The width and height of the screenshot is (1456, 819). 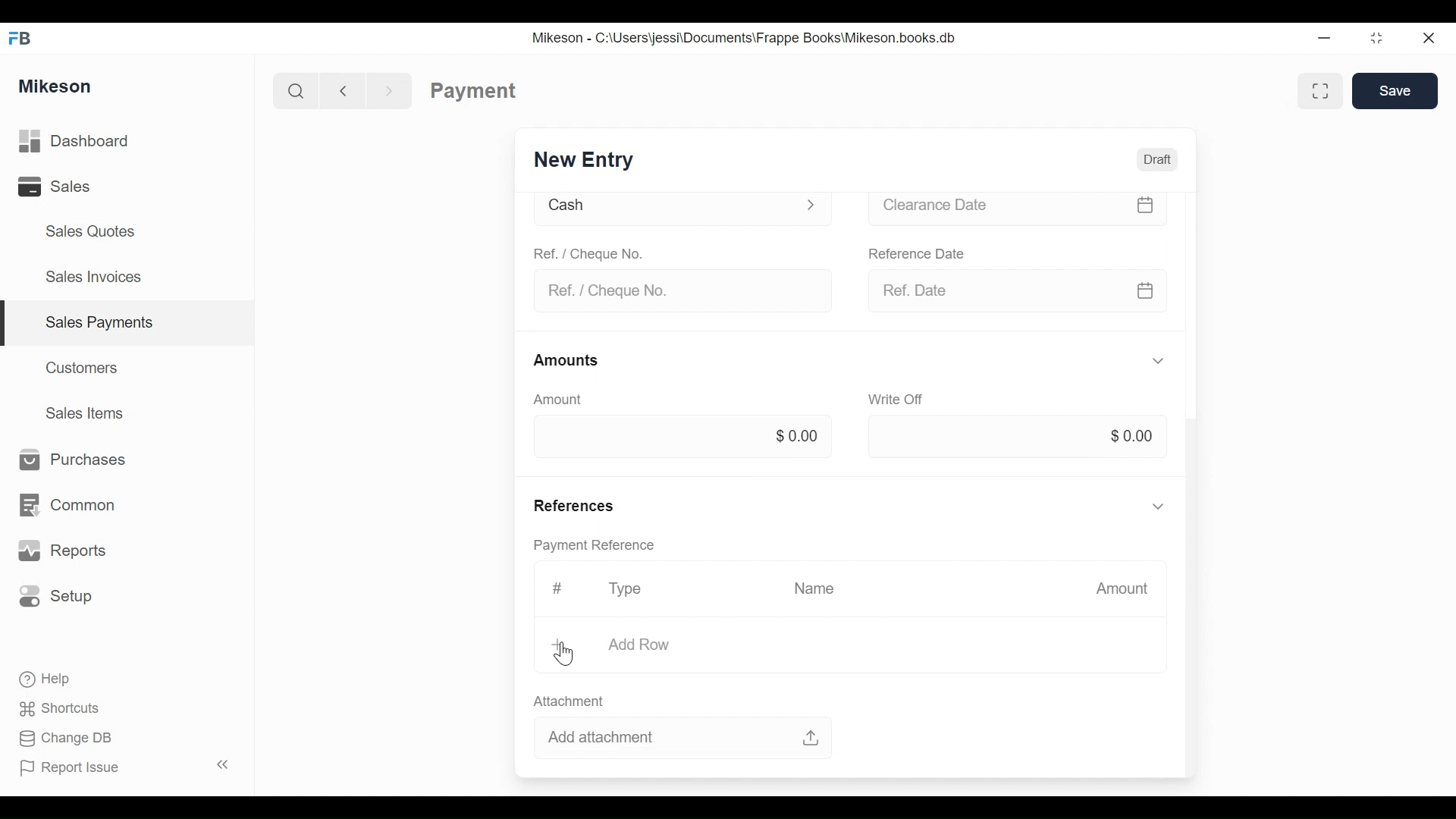 What do you see at coordinates (1159, 159) in the screenshot?
I see `Draft` at bounding box center [1159, 159].